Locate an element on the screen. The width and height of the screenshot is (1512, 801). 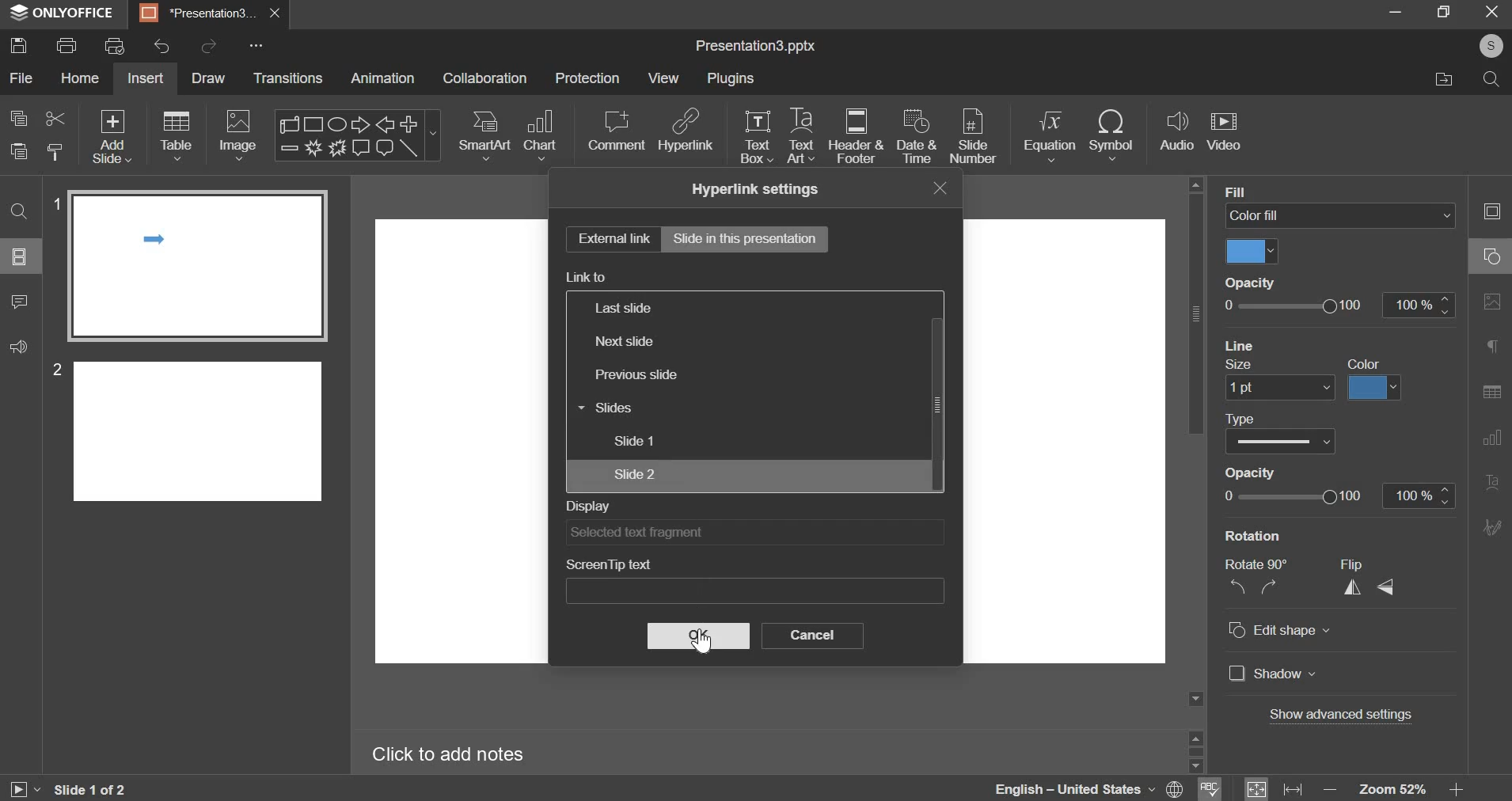
save is located at coordinates (19, 44).